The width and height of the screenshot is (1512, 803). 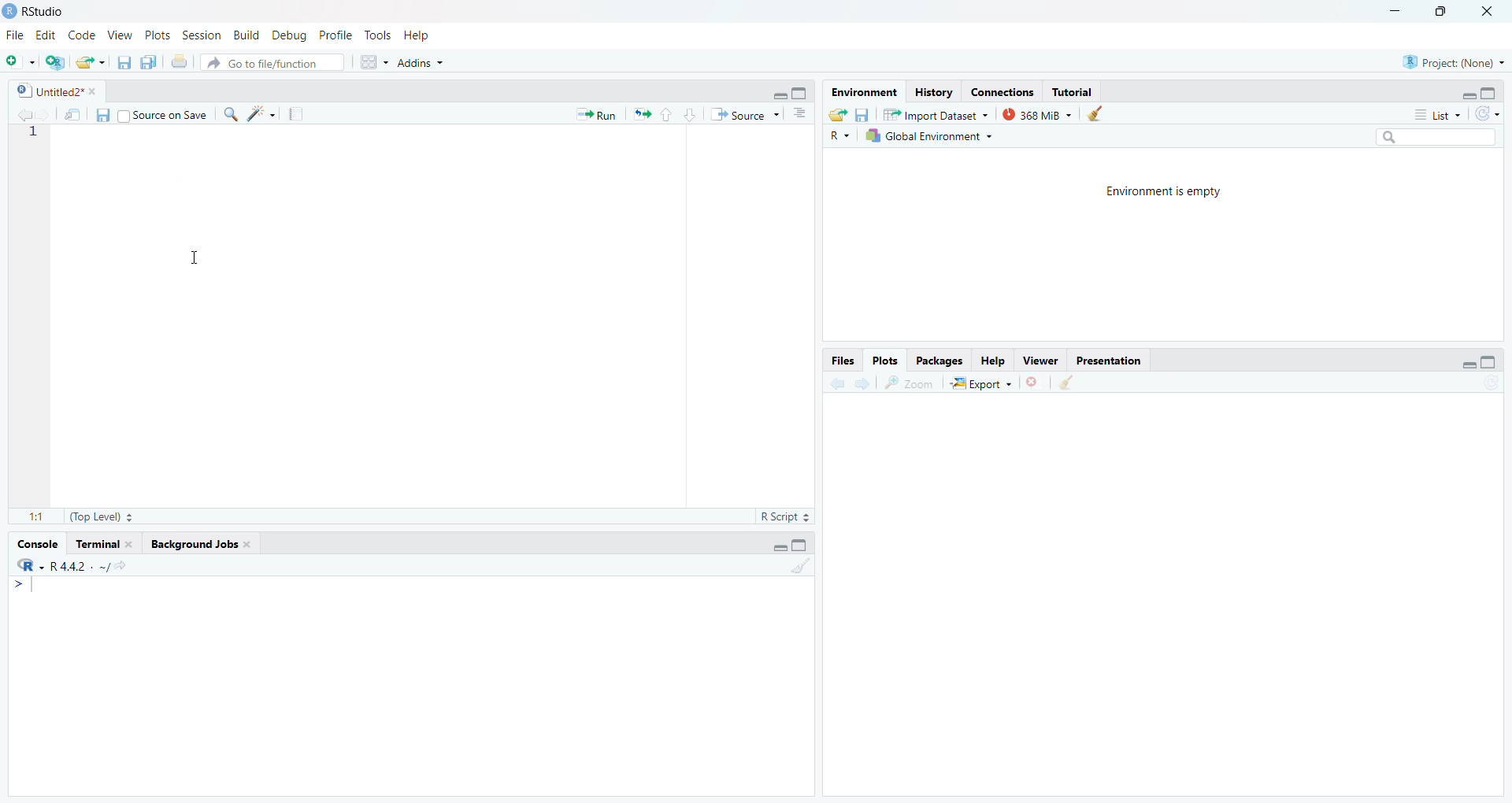 I want to click on RStudio, so click(x=38, y=9).